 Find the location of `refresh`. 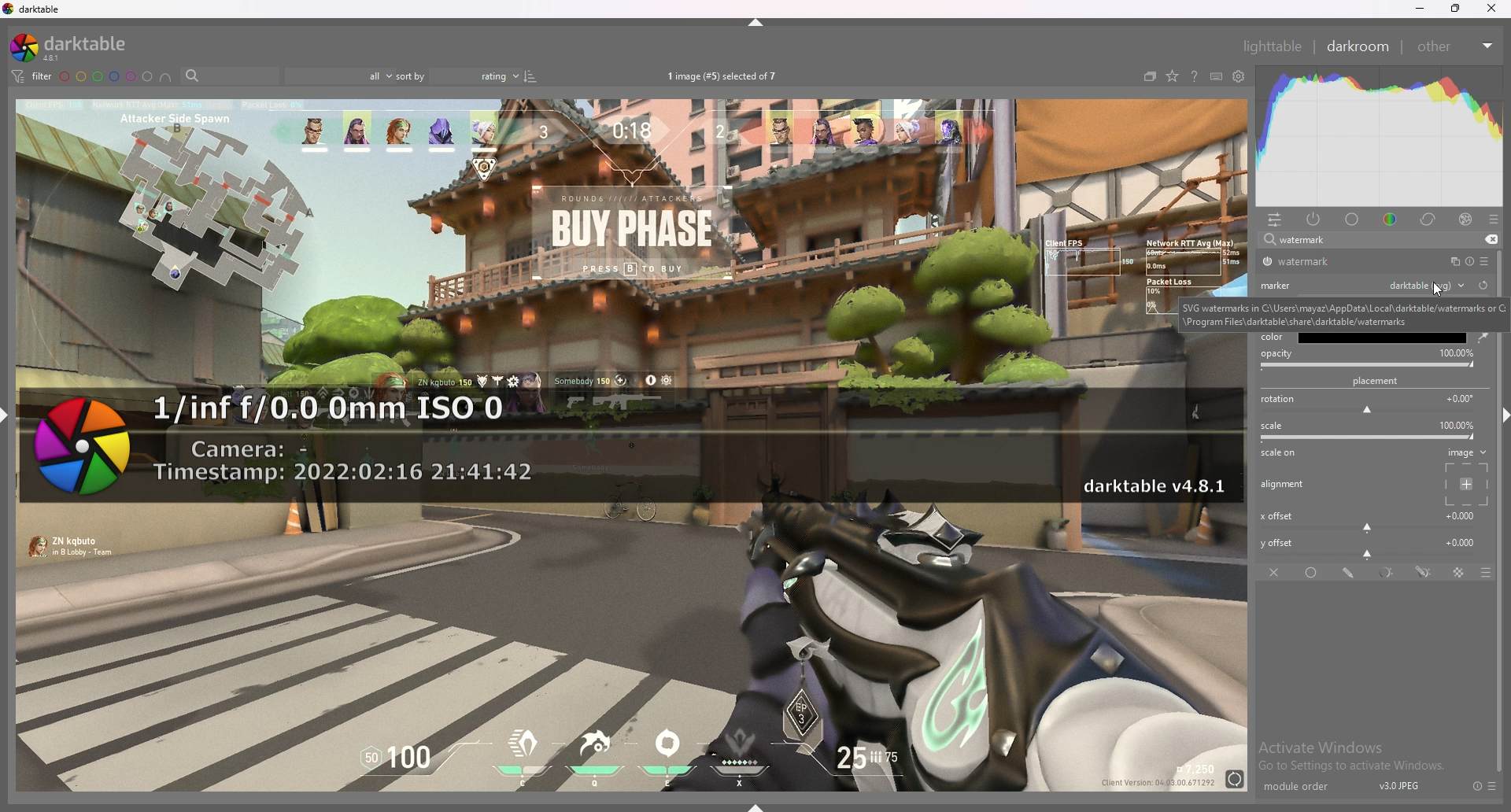

refresh is located at coordinates (1483, 285).